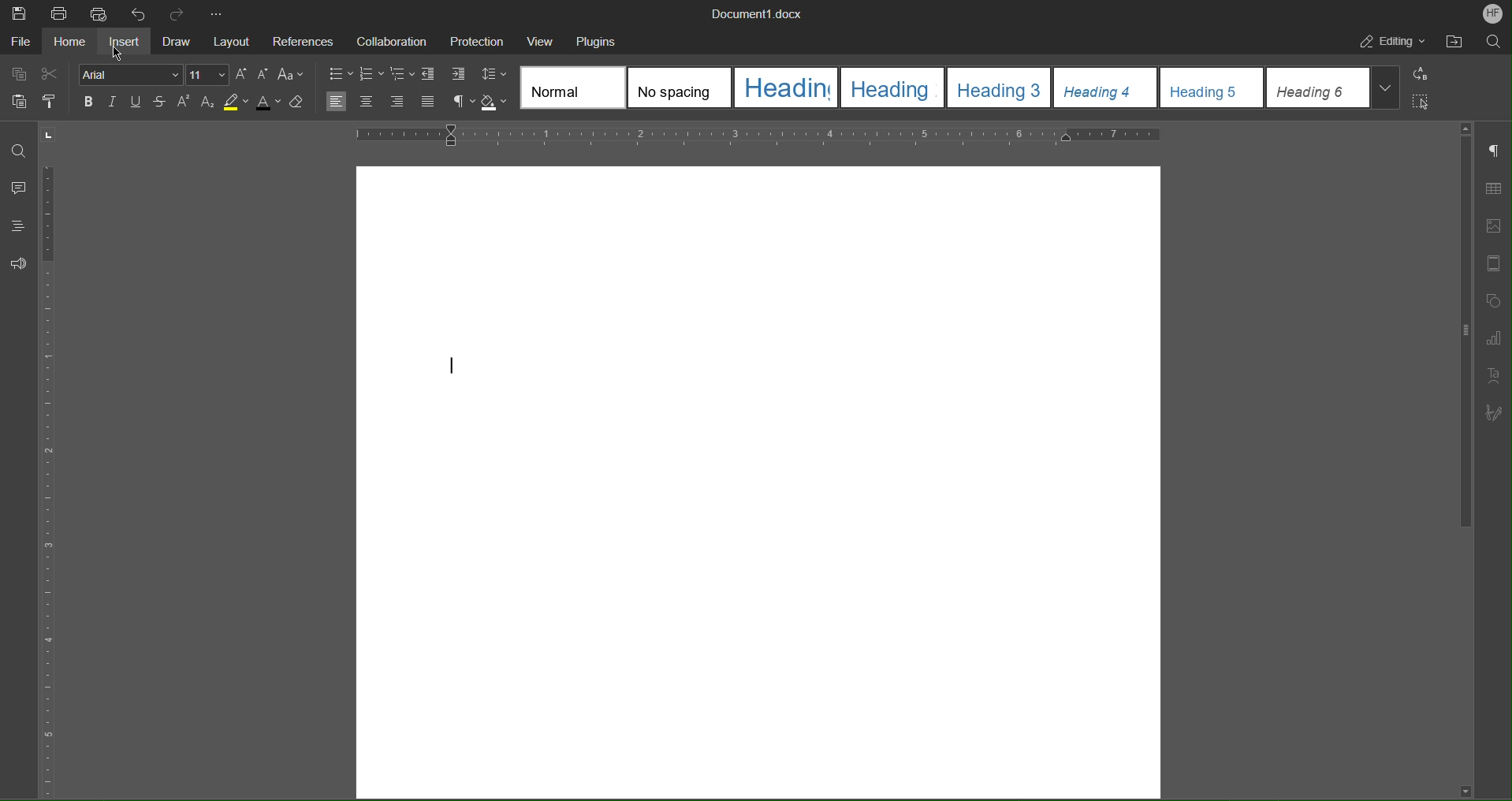 The image size is (1512, 801). Describe the element at coordinates (403, 74) in the screenshot. I see `Nested List` at that location.